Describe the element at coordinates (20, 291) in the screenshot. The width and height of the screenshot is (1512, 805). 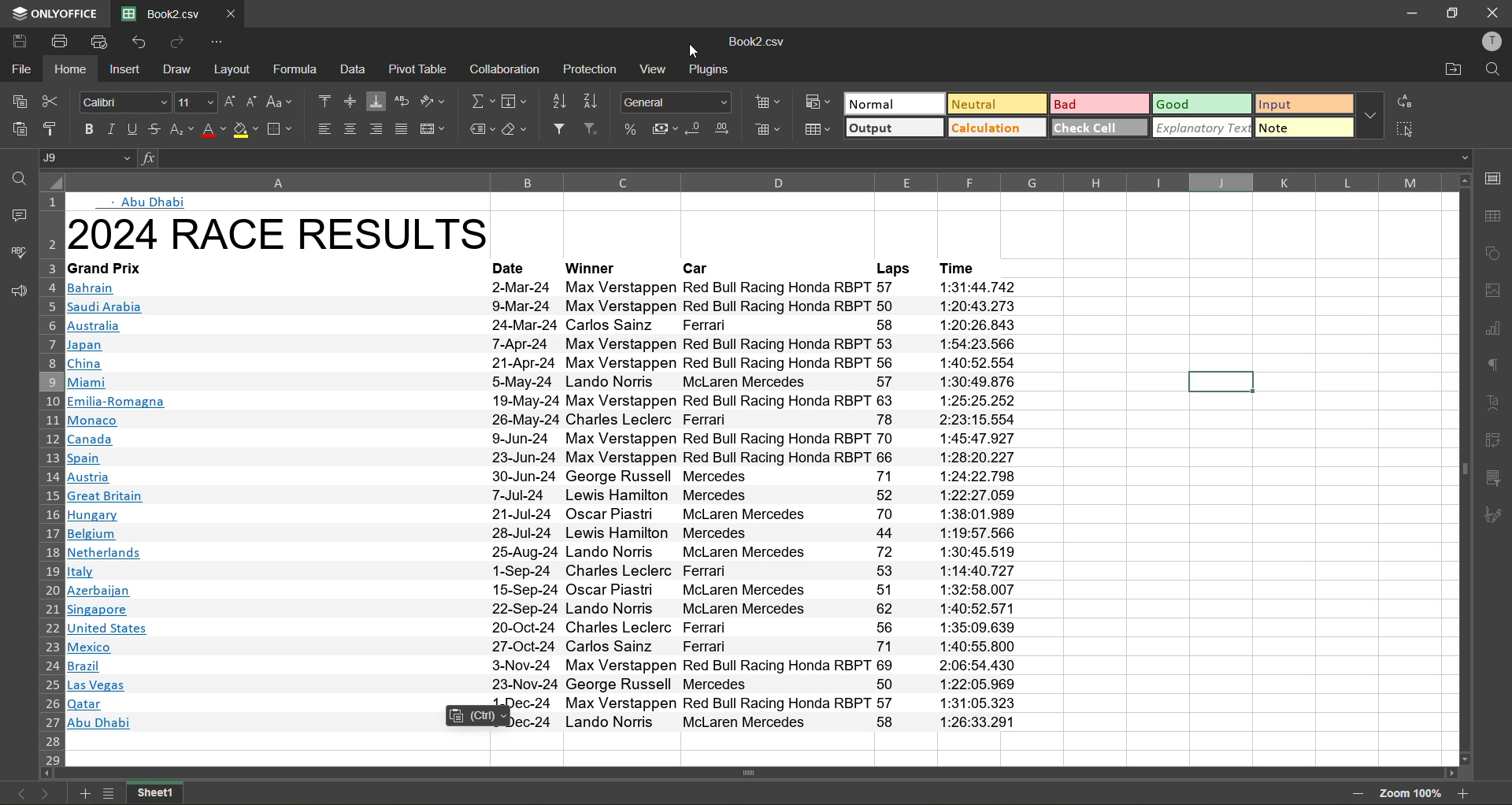
I see `feedback` at that location.